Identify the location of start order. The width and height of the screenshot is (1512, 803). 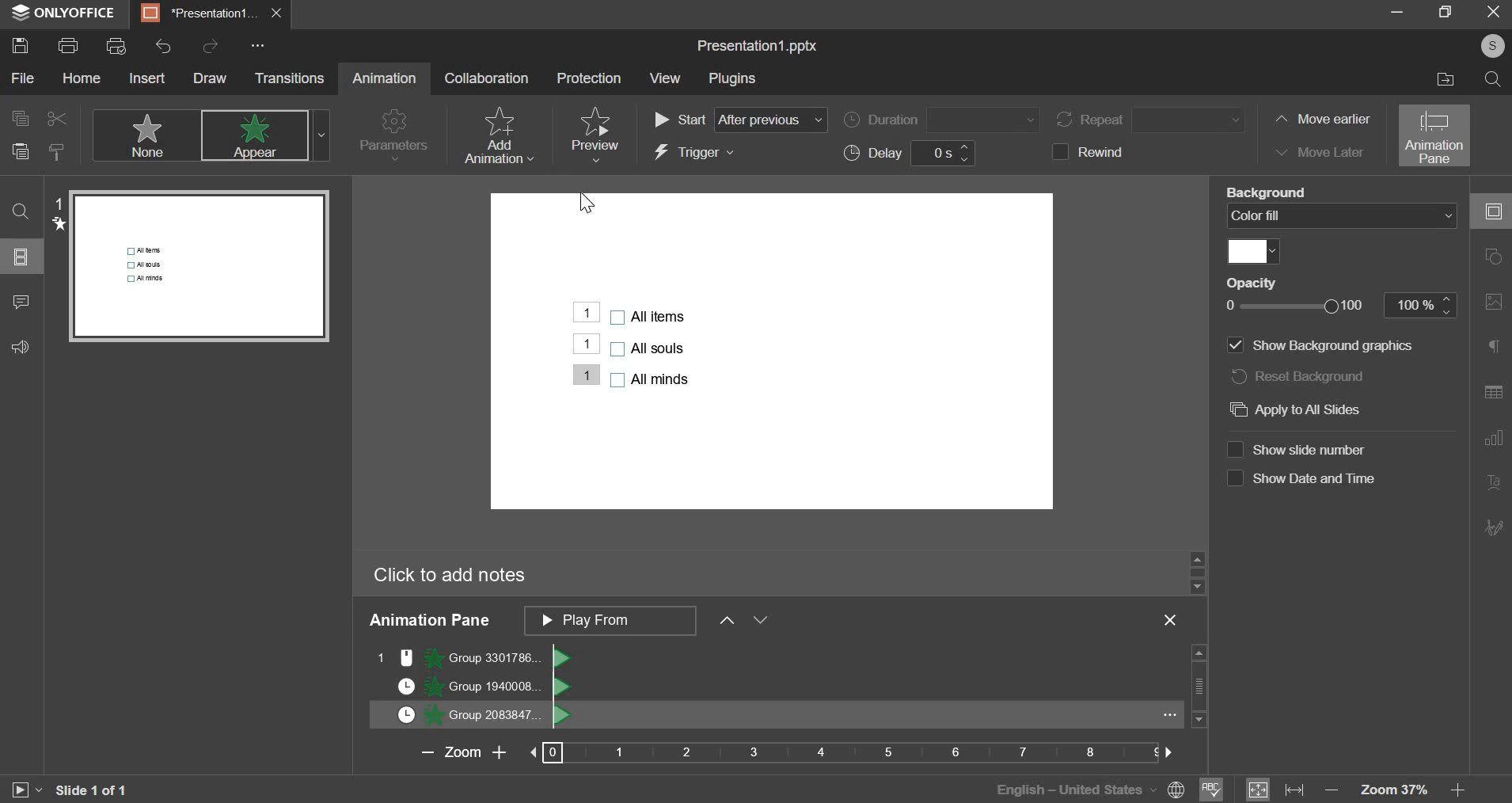
(739, 120).